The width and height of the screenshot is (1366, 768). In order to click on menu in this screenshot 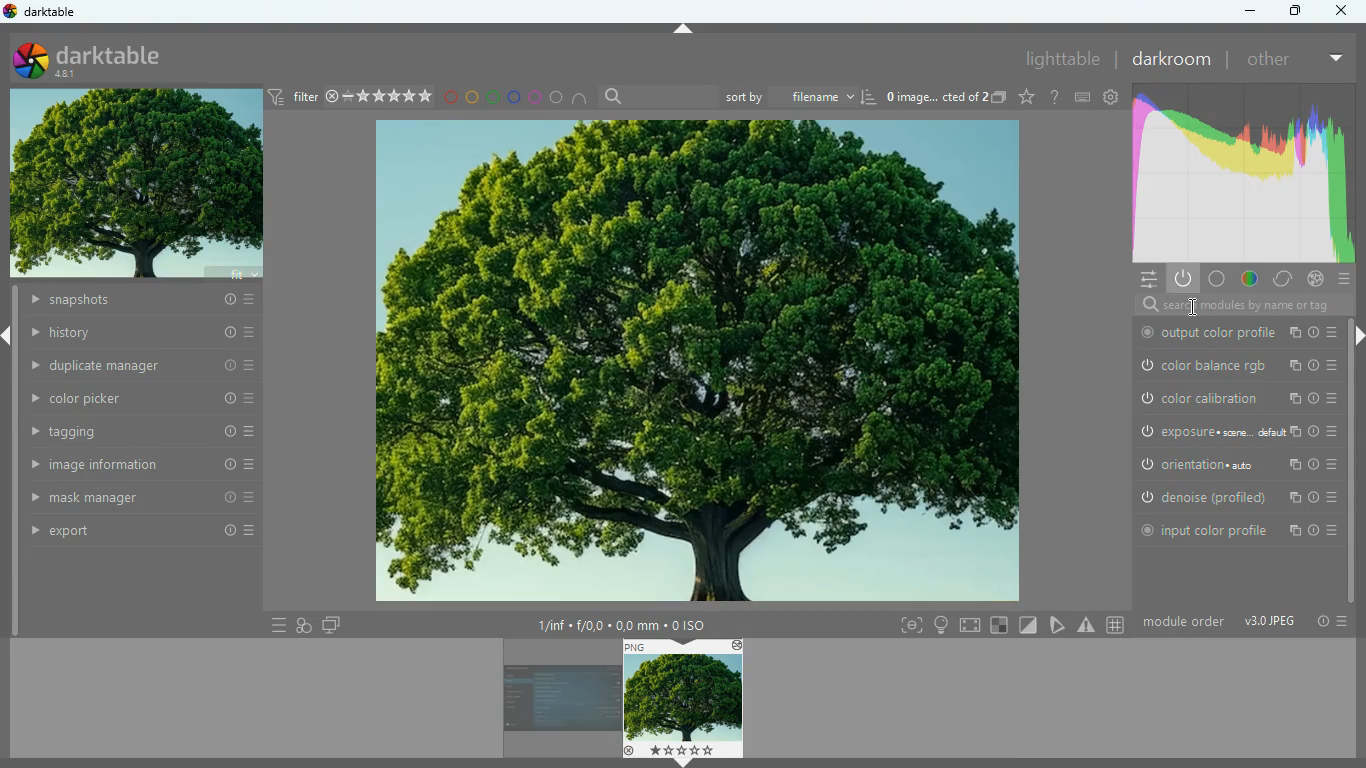, I will do `click(274, 624)`.